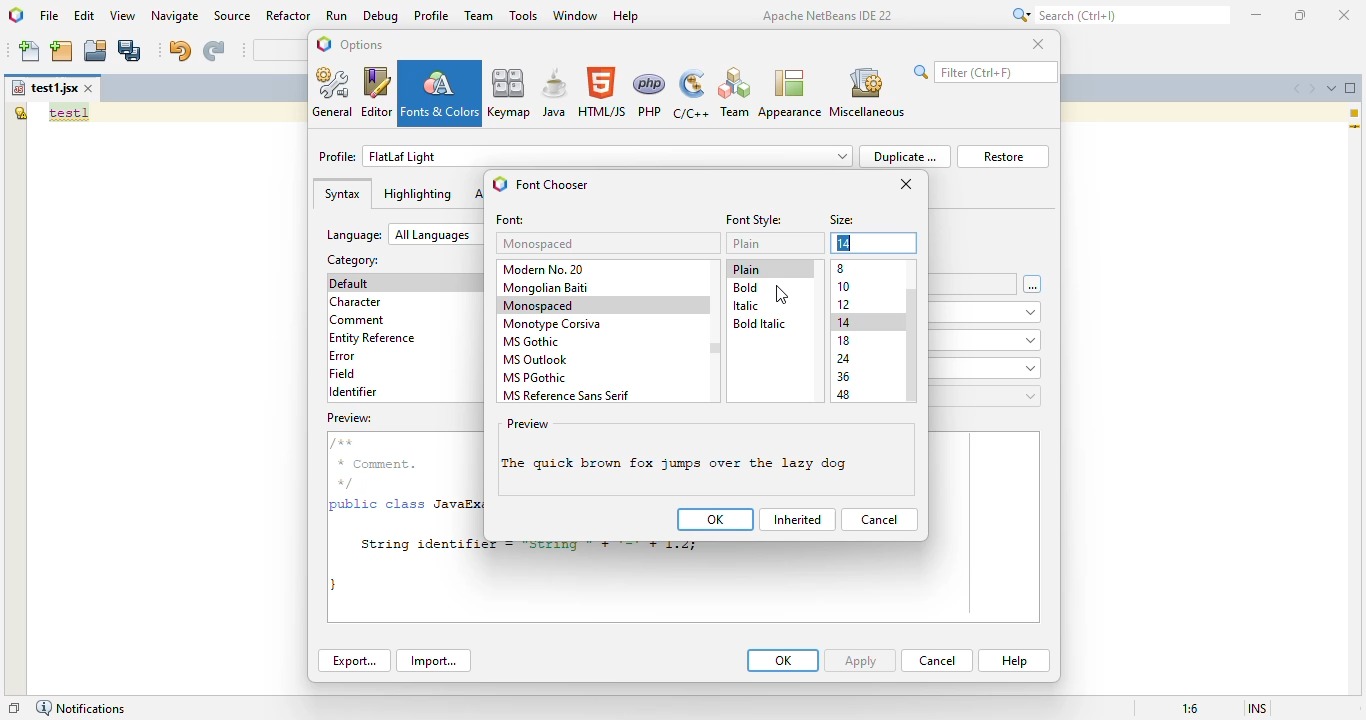  What do you see at coordinates (179, 50) in the screenshot?
I see `undo` at bounding box center [179, 50].